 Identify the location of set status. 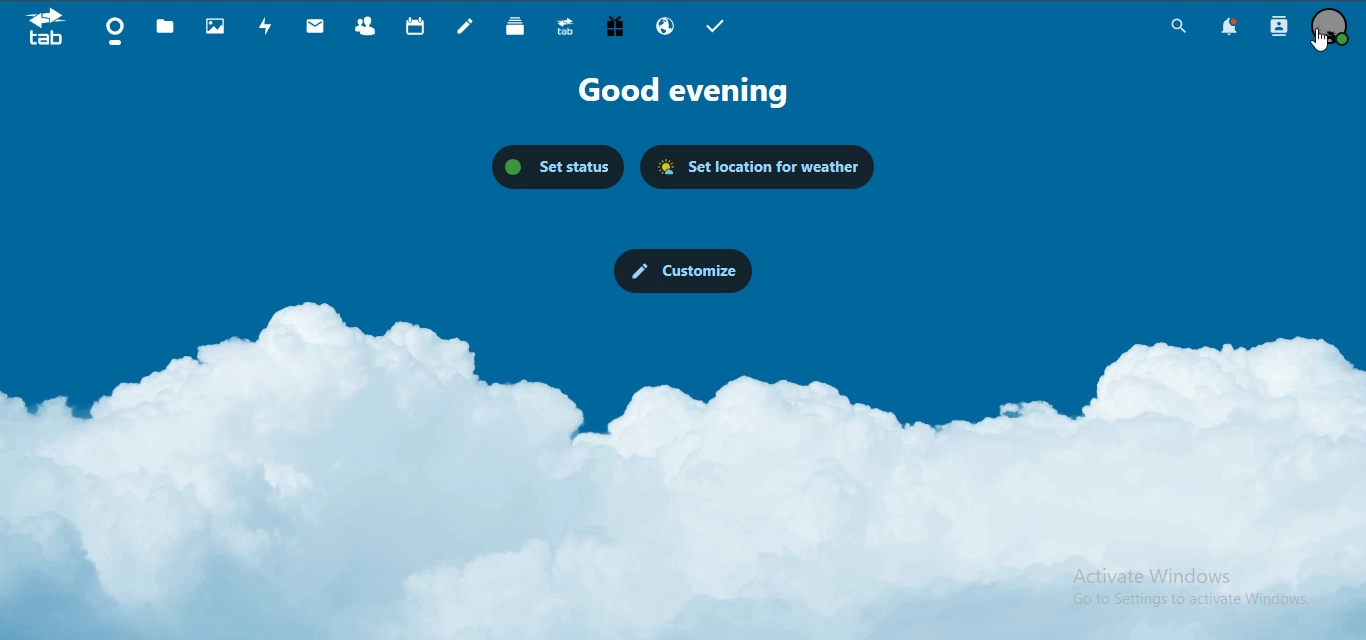
(555, 168).